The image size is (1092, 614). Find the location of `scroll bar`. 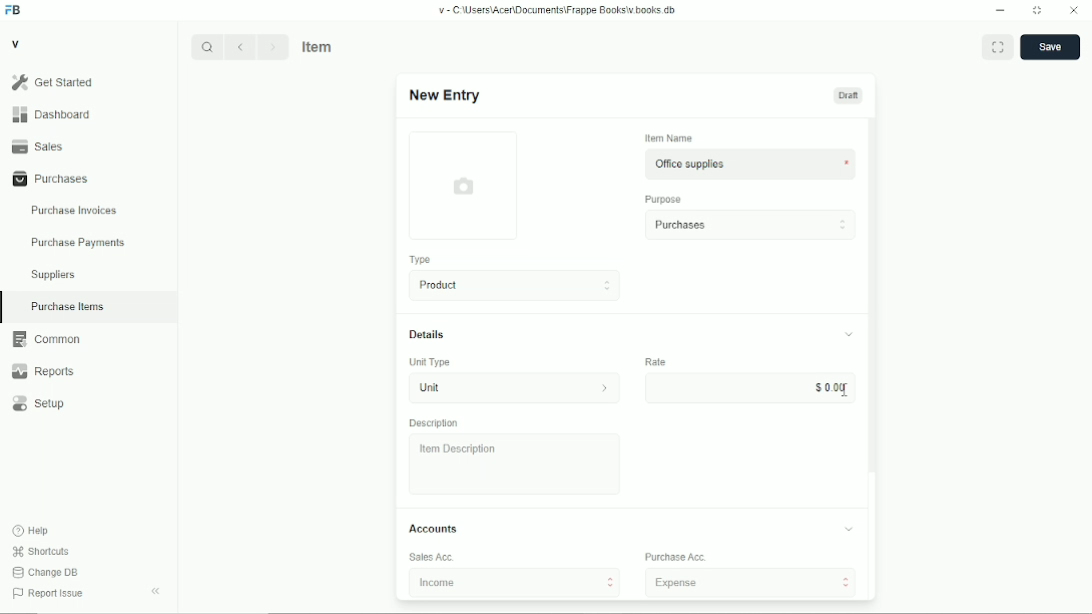

scroll bar is located at coordinates (872, 358).